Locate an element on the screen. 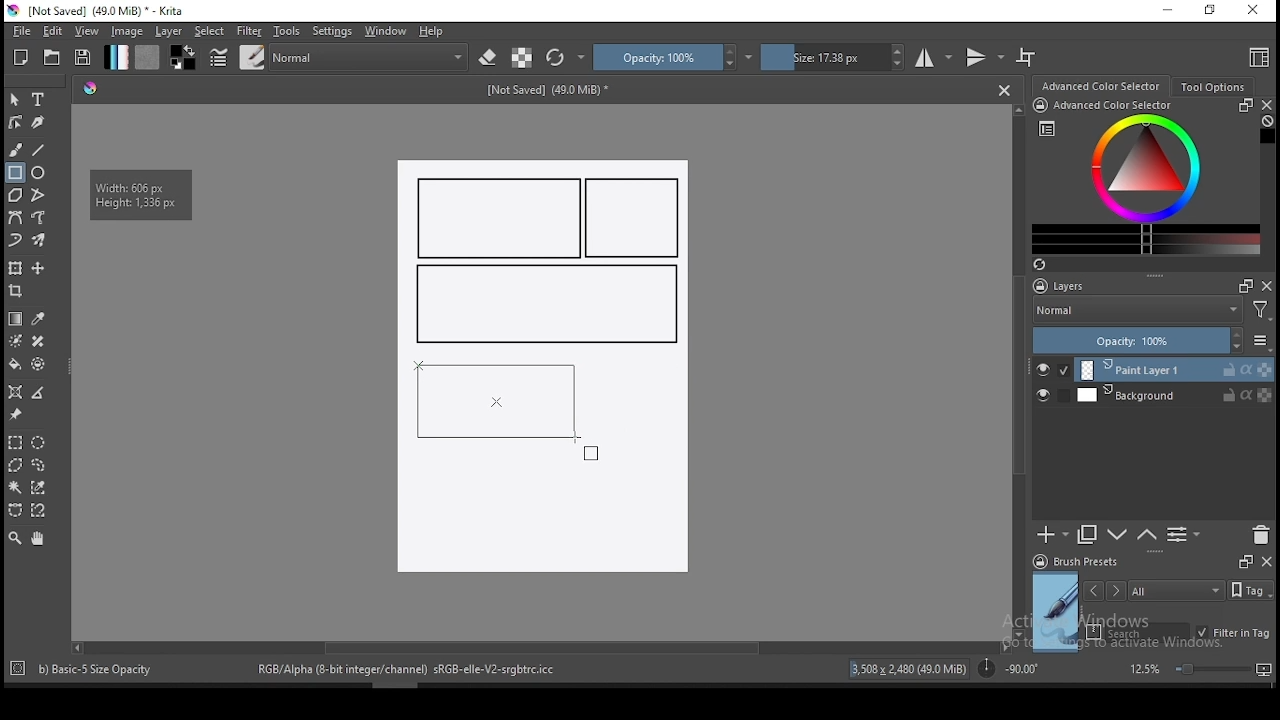  Close is located at coordinates (1004, 89).